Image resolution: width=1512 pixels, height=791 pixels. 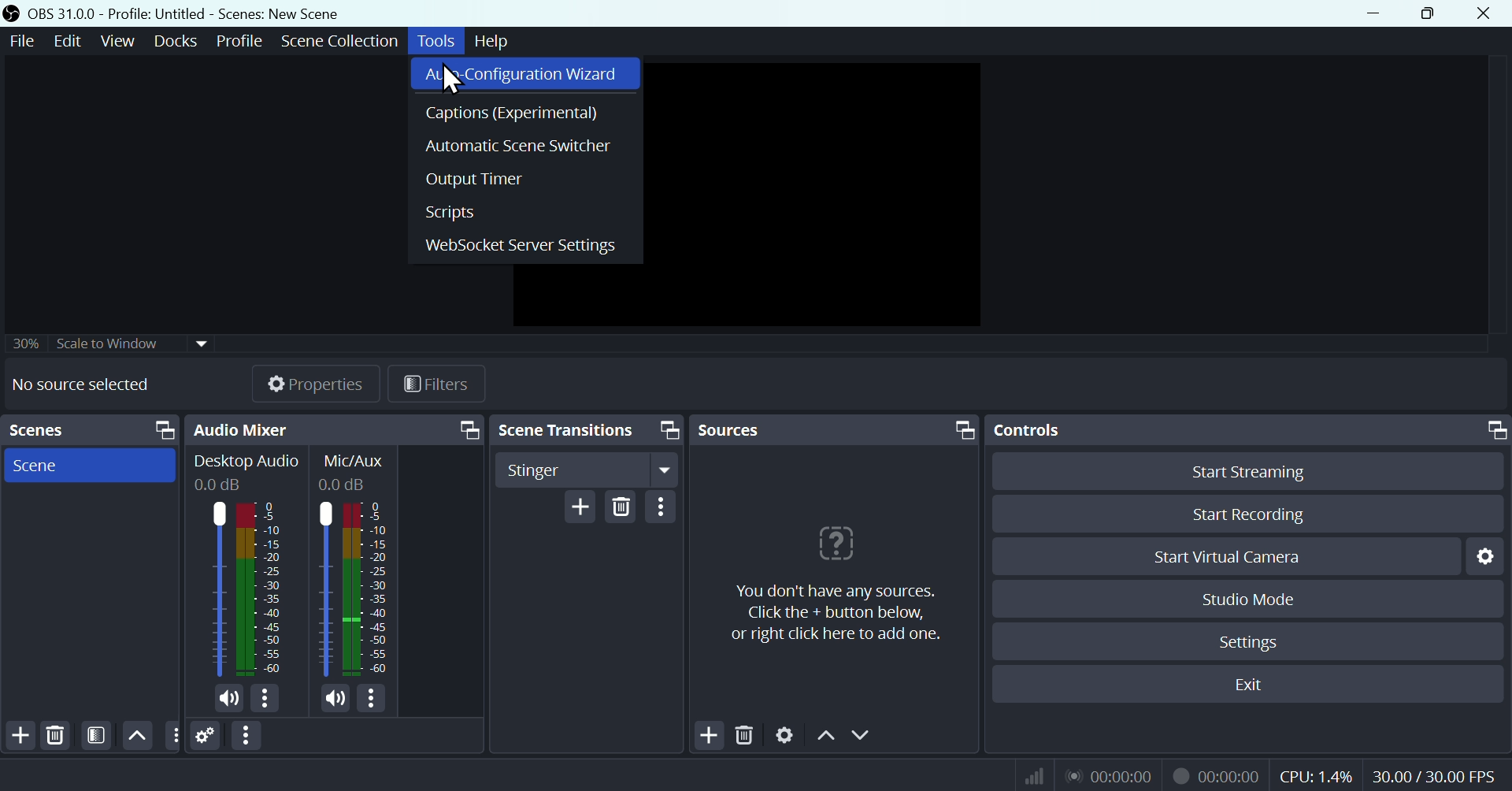 I want to click on screen resize, so click(x=467, y=429).